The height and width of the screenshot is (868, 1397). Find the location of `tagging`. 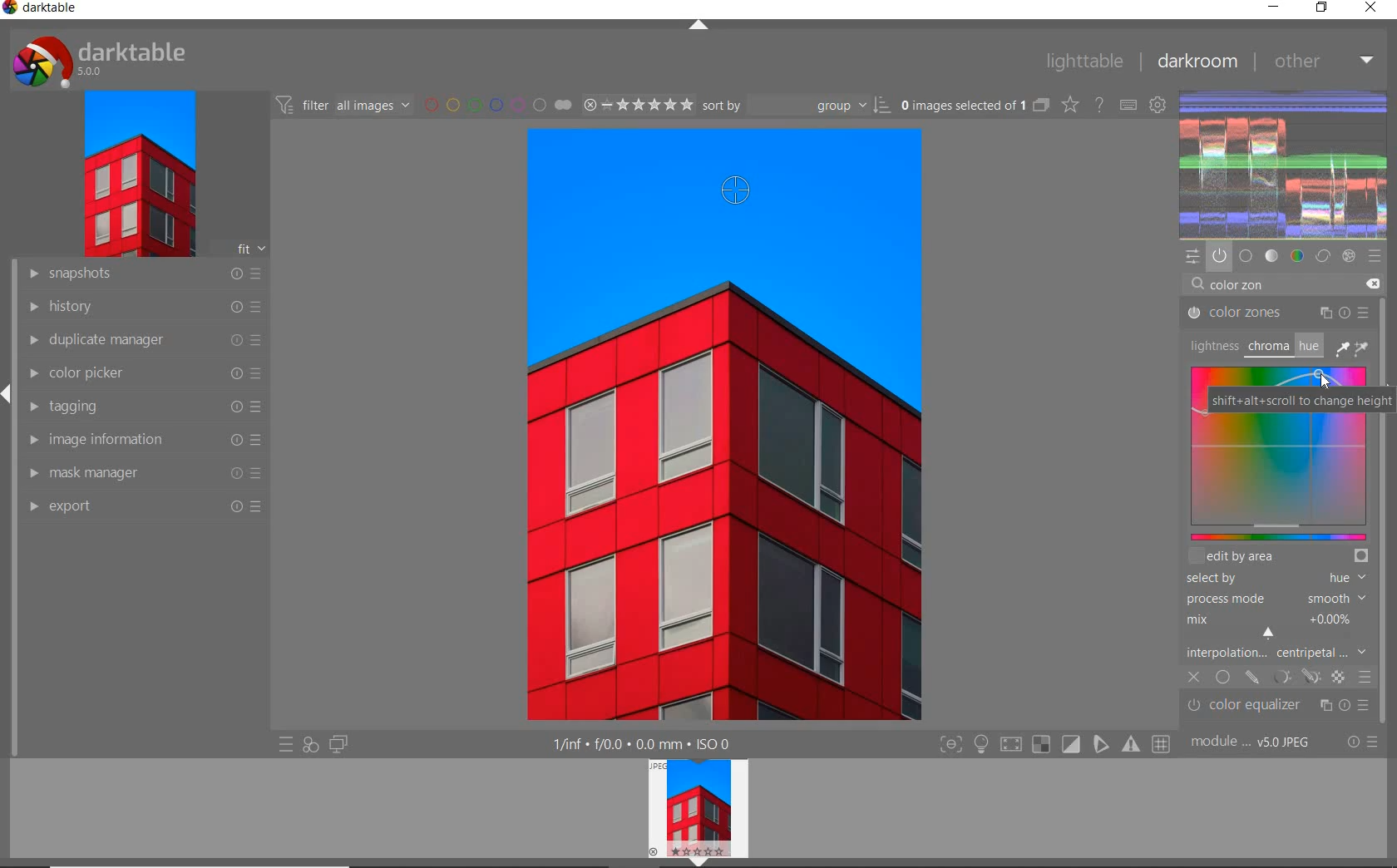

tagging is located at coordinates (141, 407).